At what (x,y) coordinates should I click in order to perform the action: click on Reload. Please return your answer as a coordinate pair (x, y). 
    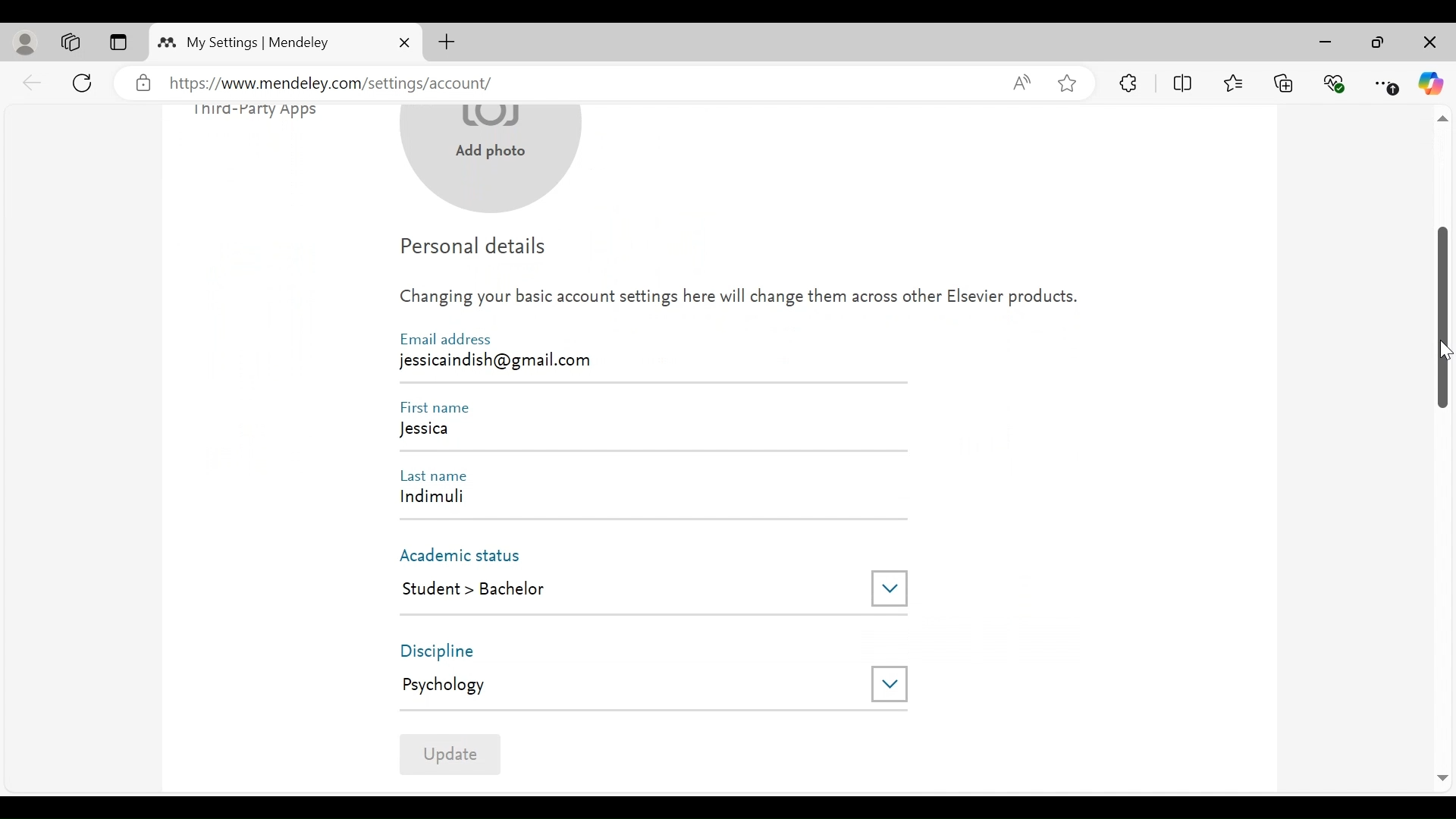
    Looking at the image, I should click on (85, 81).